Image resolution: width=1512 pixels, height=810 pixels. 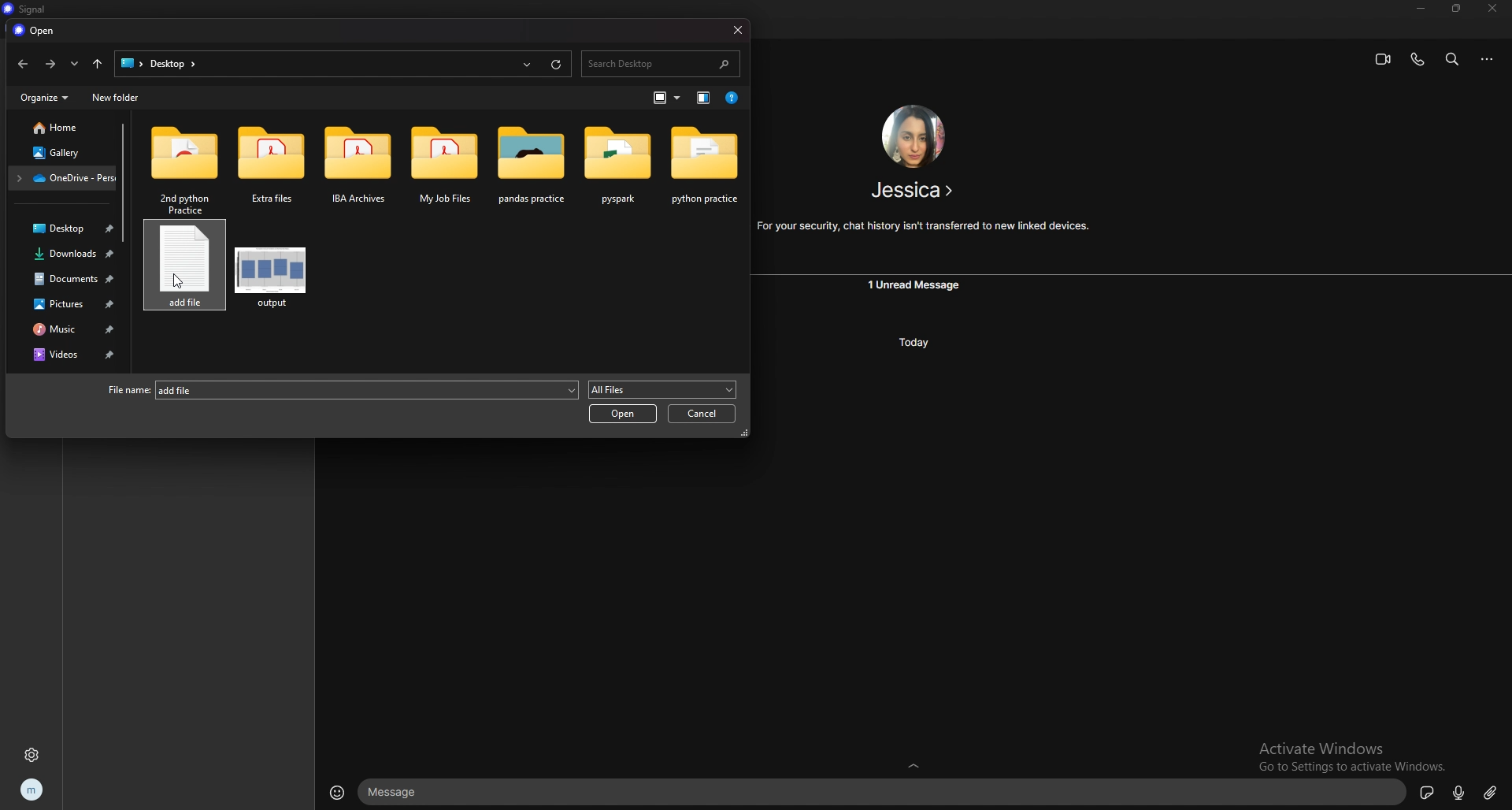 What do you see at coordinates (703, 98) in the screenshot?
I see `change view` at bounding box center [703, 98].